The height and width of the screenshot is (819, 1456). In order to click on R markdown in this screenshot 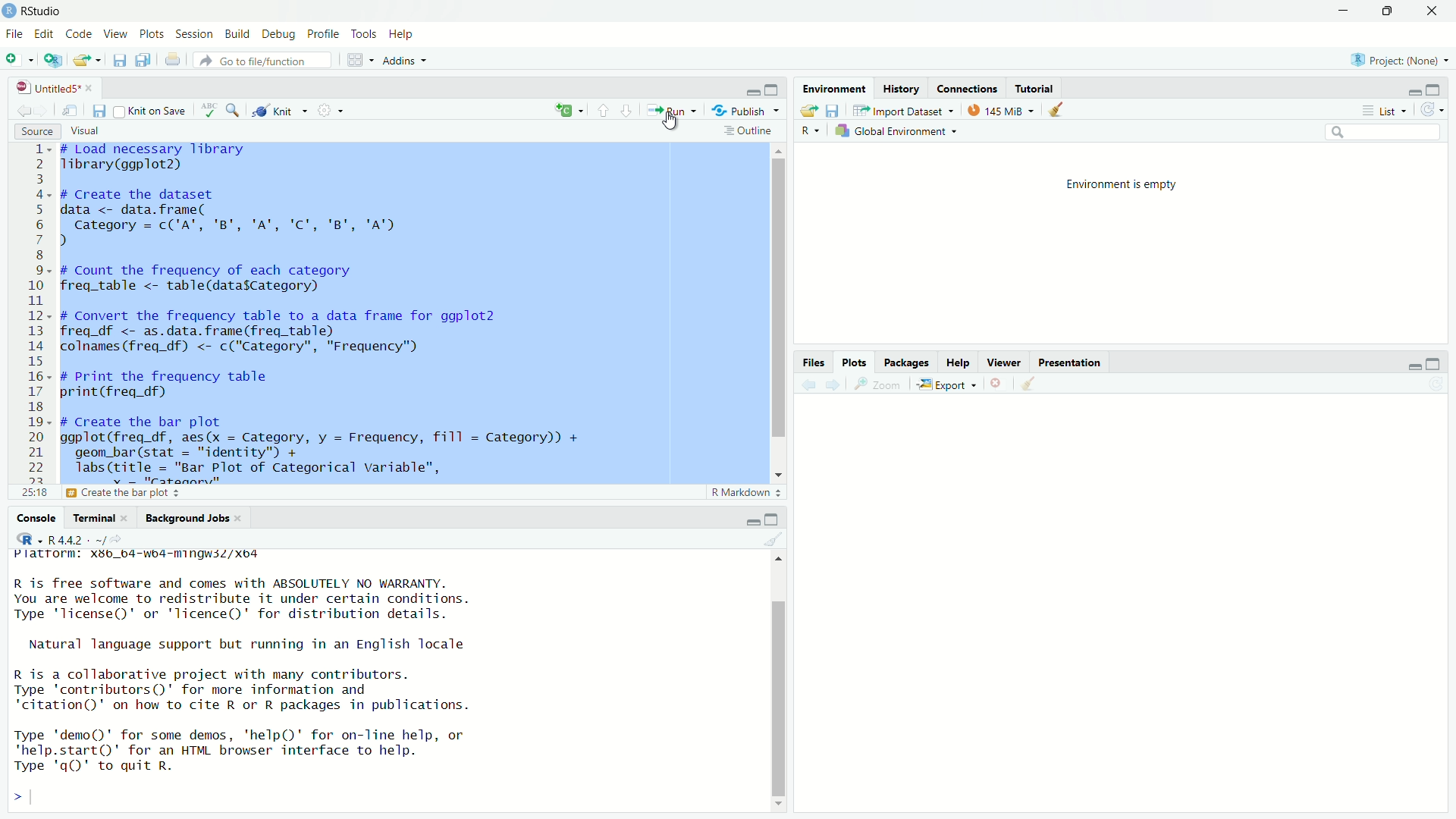, I will do `click(748, 493)`.